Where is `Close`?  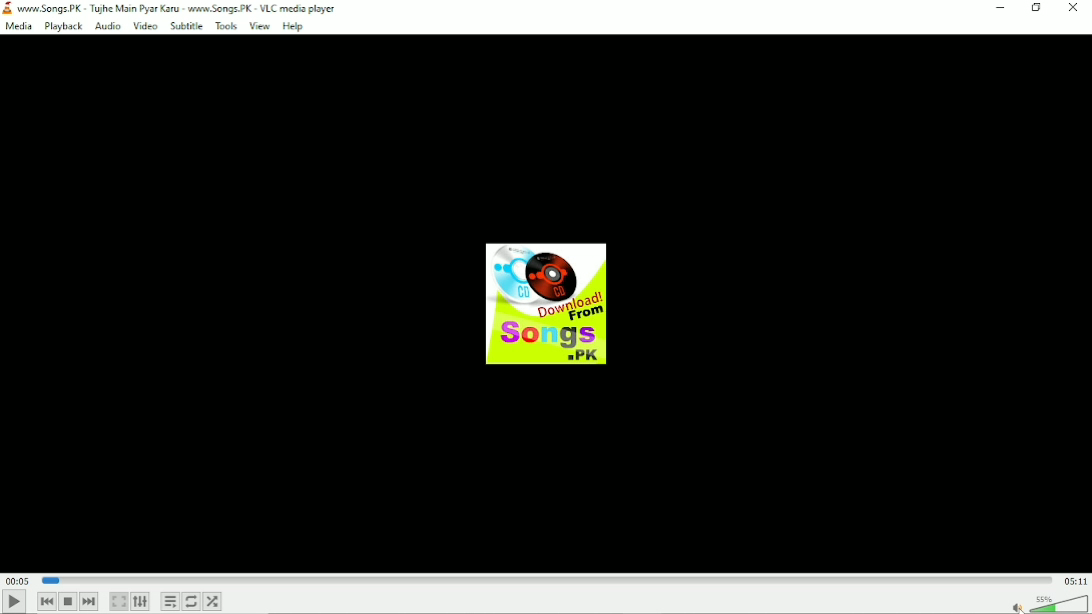 Close is located at coordinates (1074, 8).